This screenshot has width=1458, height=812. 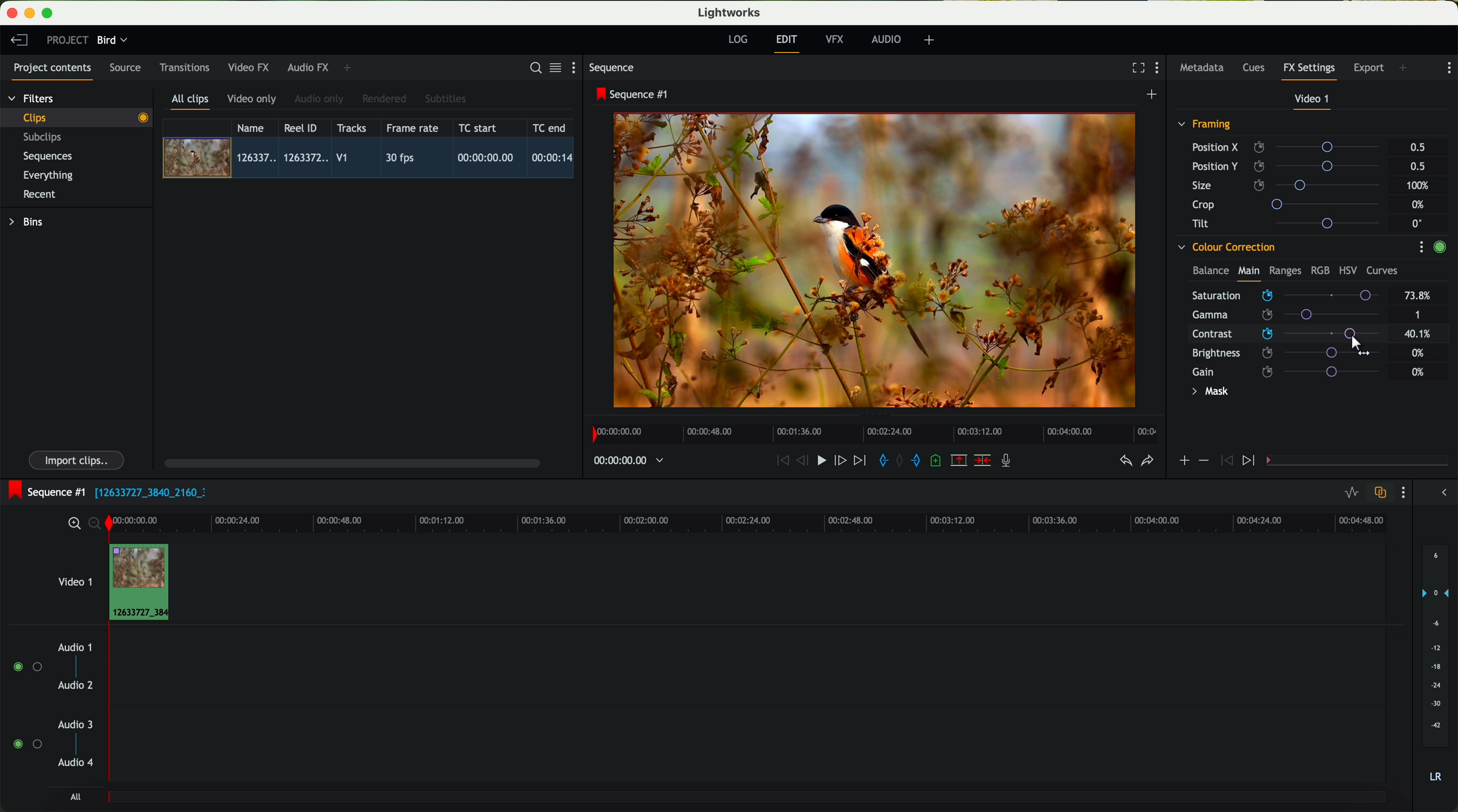 What do you see at coordinates (983, 461) in the screenshot?
I see `delete/cut` at bounding box center [983, 461].